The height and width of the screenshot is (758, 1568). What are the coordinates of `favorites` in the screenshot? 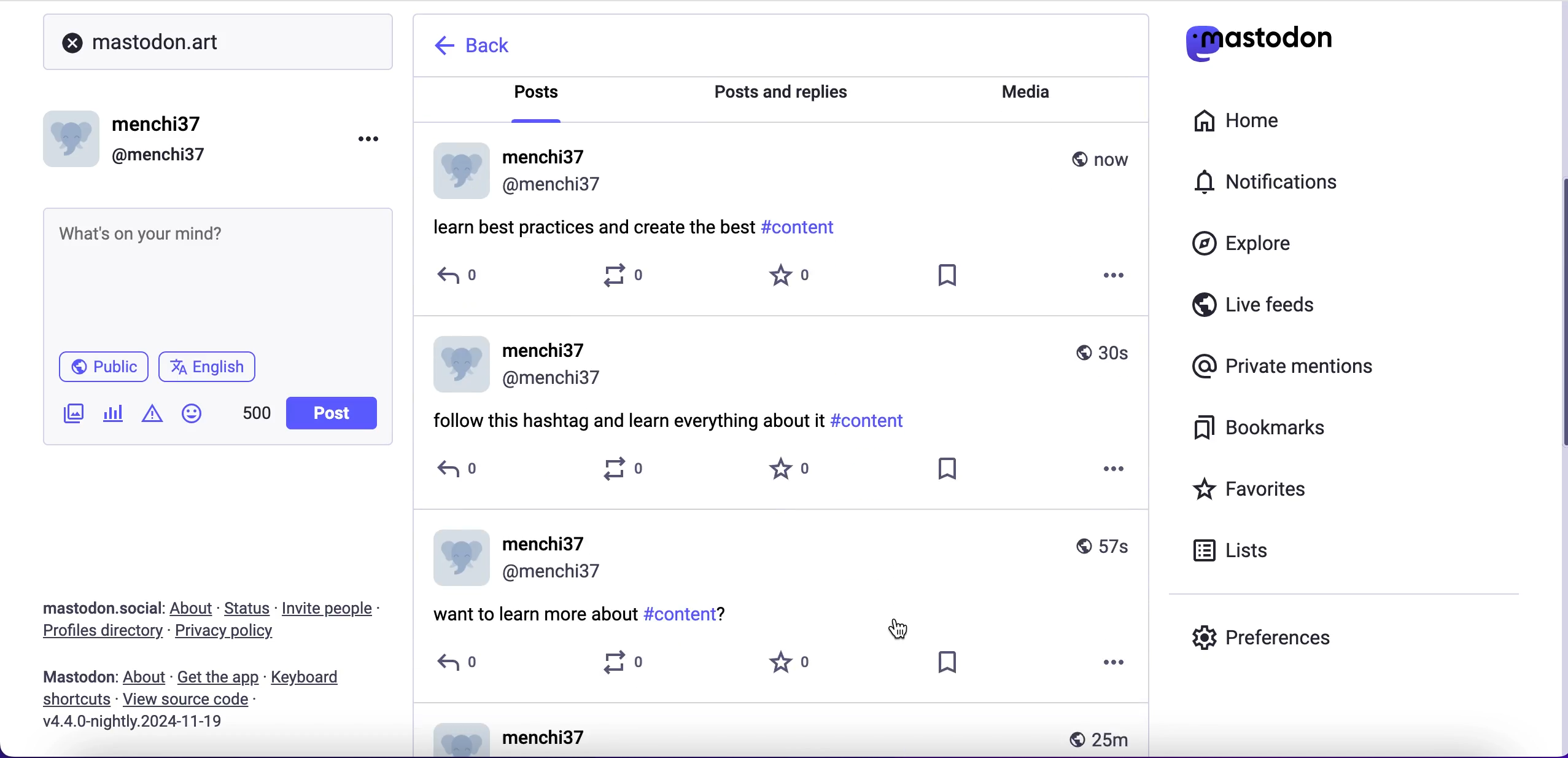 It's located at (1282, 488).